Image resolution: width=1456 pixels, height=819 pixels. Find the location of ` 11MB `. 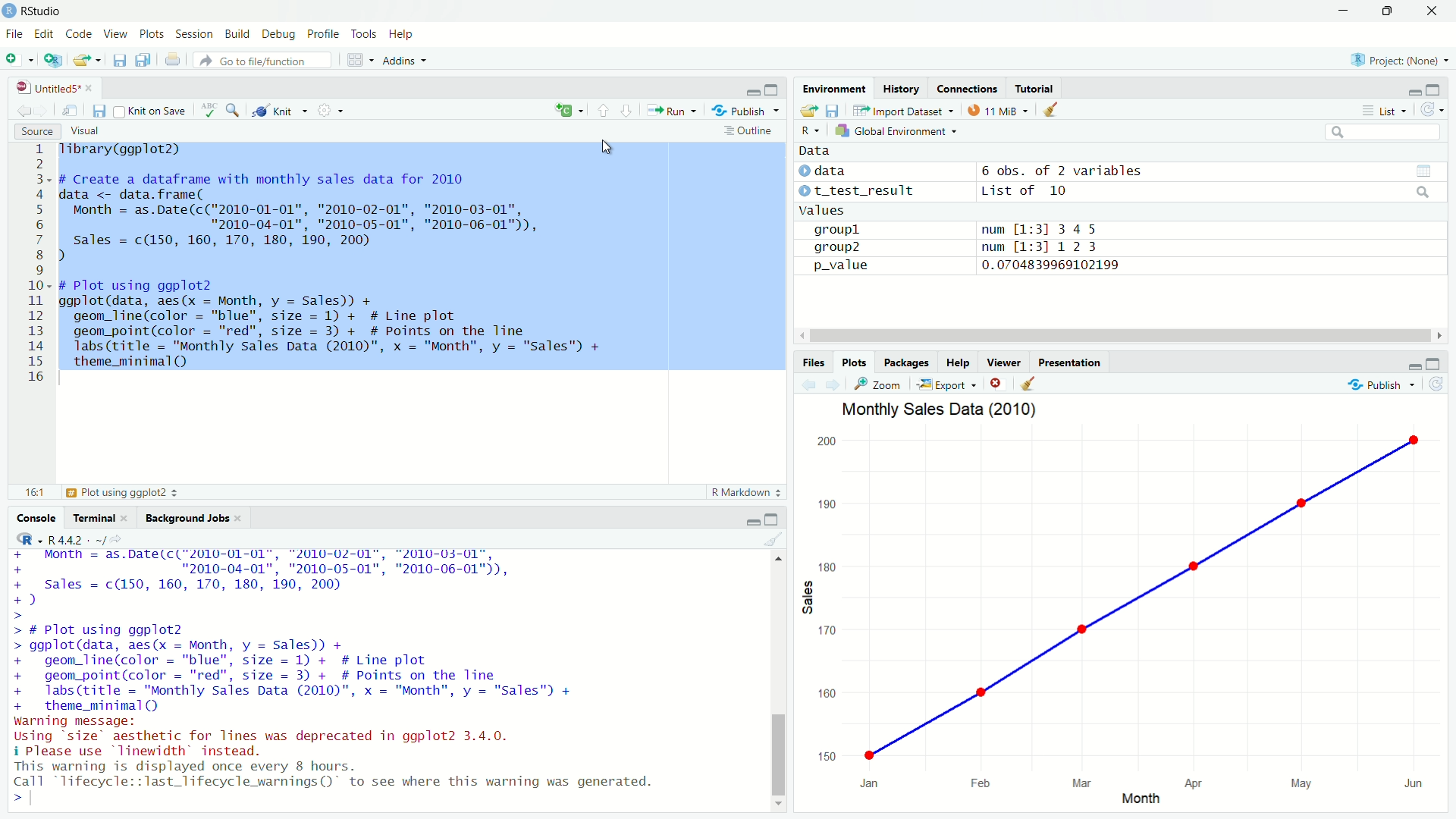

 11MB  is located at coordinates (998, 110).